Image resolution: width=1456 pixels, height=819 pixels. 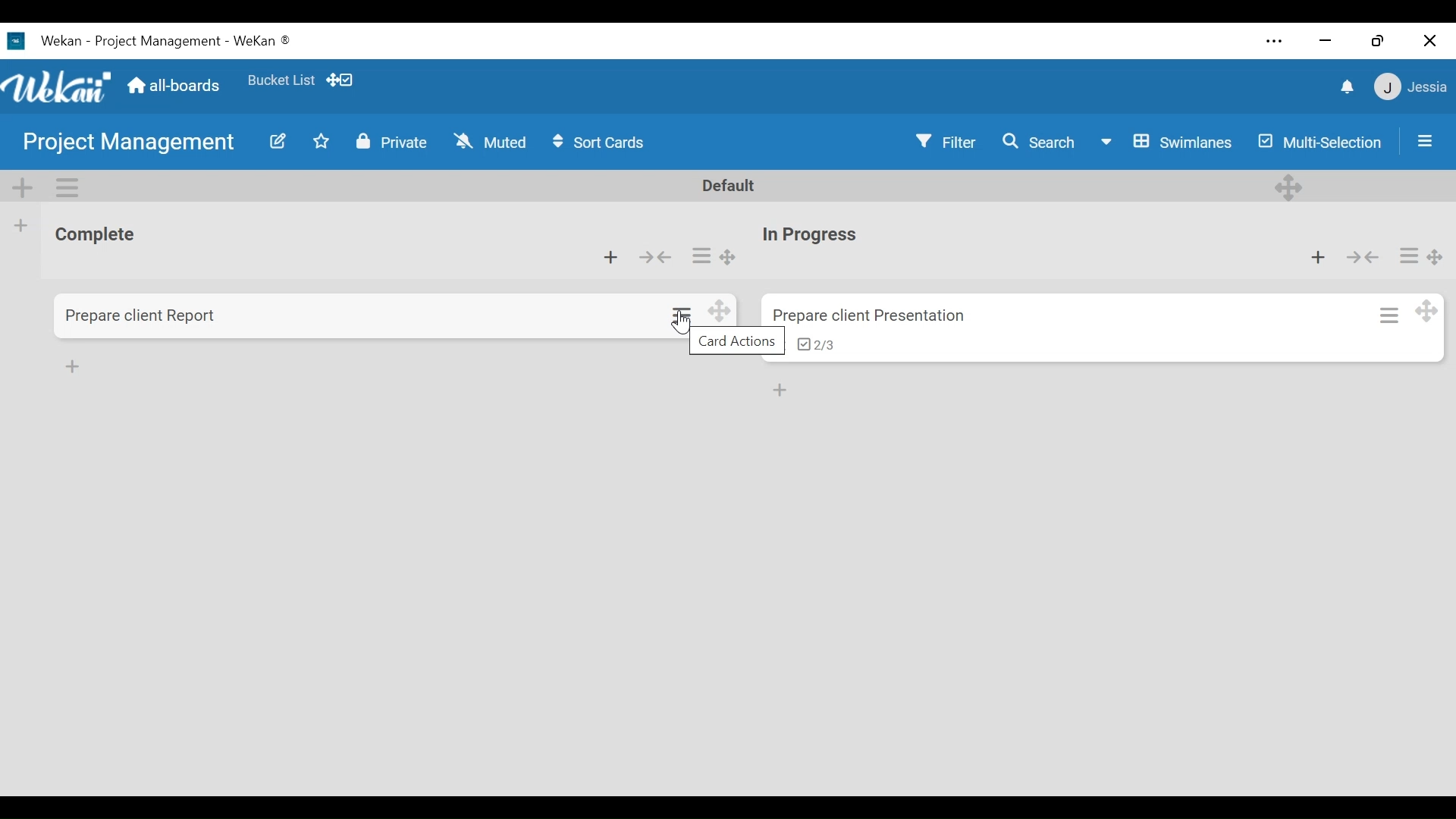 What do you see at coordinates (821, 344) in the screenshot?
I see `Checklist` at bounding box center [821, 344].